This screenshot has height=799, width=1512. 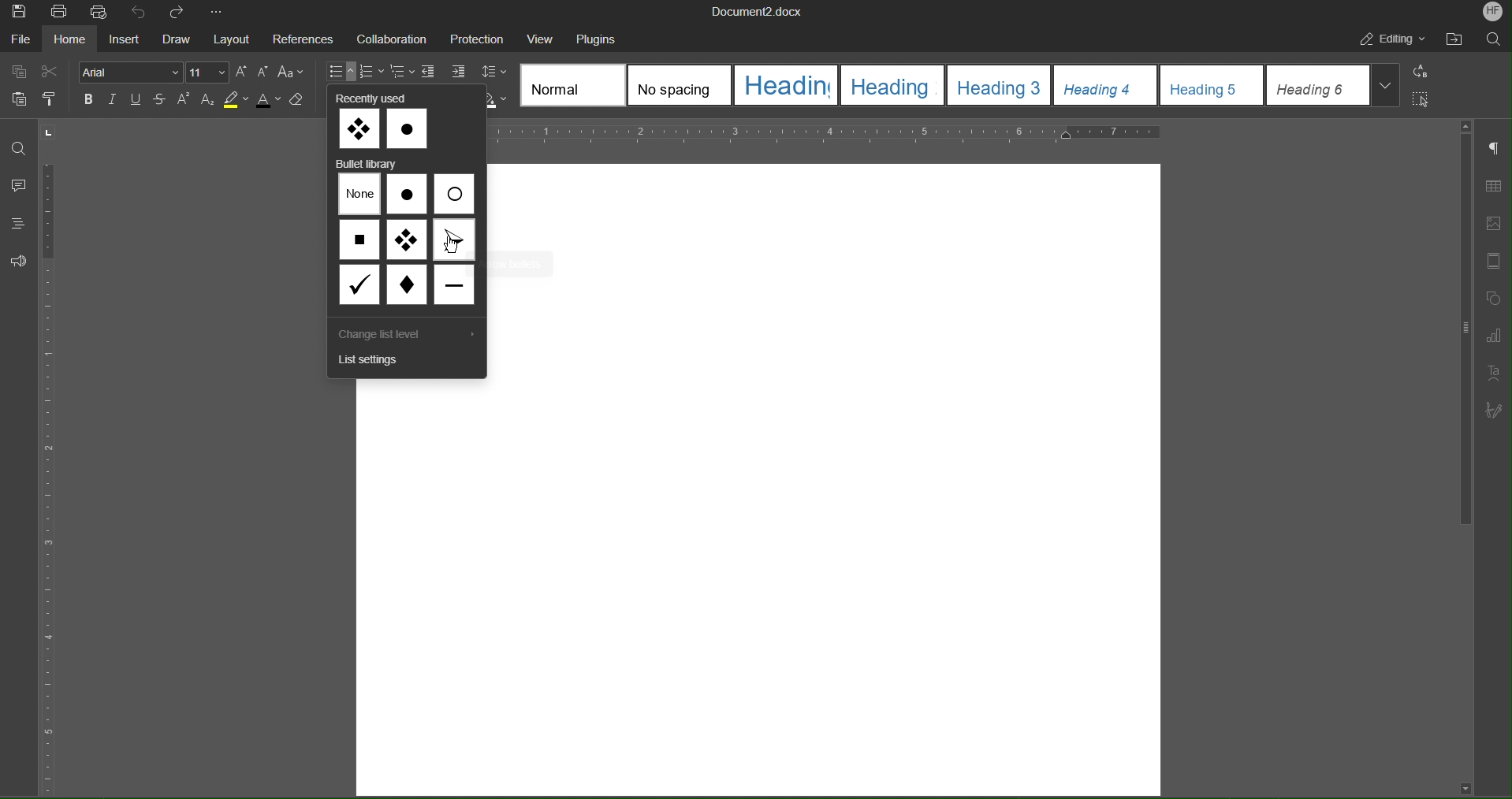 What do you see at coordinates (58, 100) in the screenshot?
I see `Copy Style` at bounding box center [58, 100].